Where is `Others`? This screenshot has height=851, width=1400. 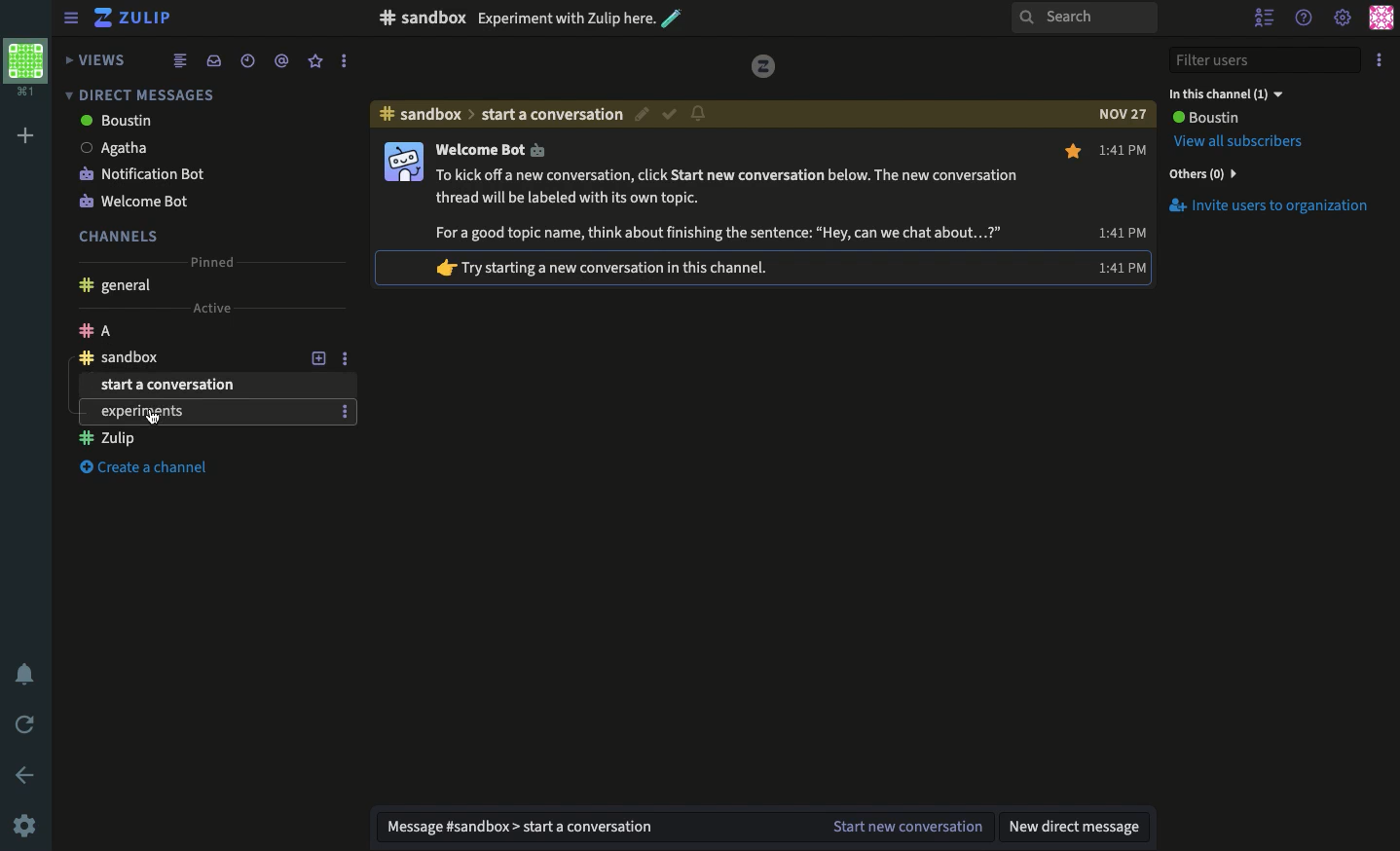 Others is located at coordinates (1200, 173).